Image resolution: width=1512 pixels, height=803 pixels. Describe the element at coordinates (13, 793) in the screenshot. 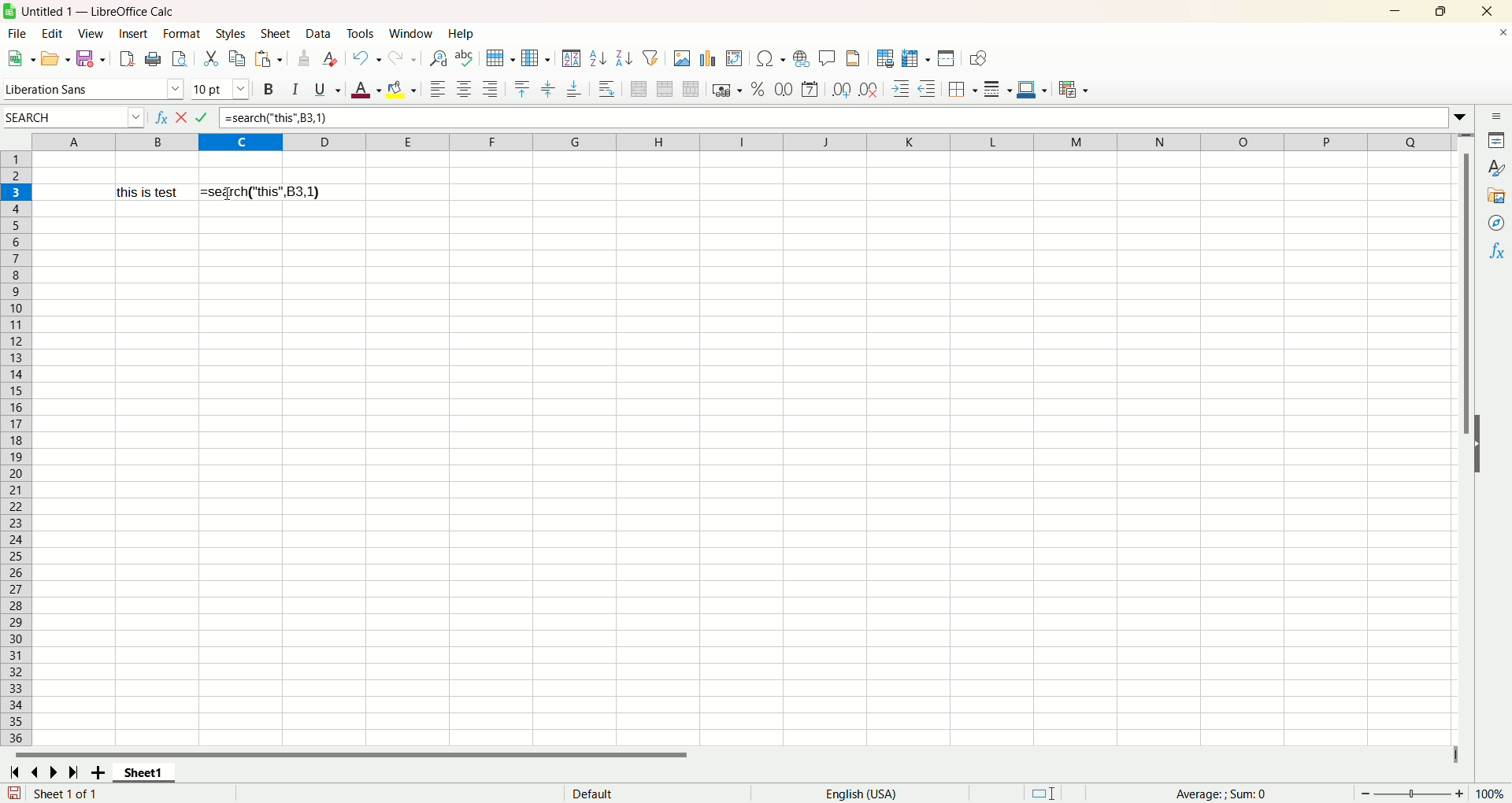

I see `save` at that location.